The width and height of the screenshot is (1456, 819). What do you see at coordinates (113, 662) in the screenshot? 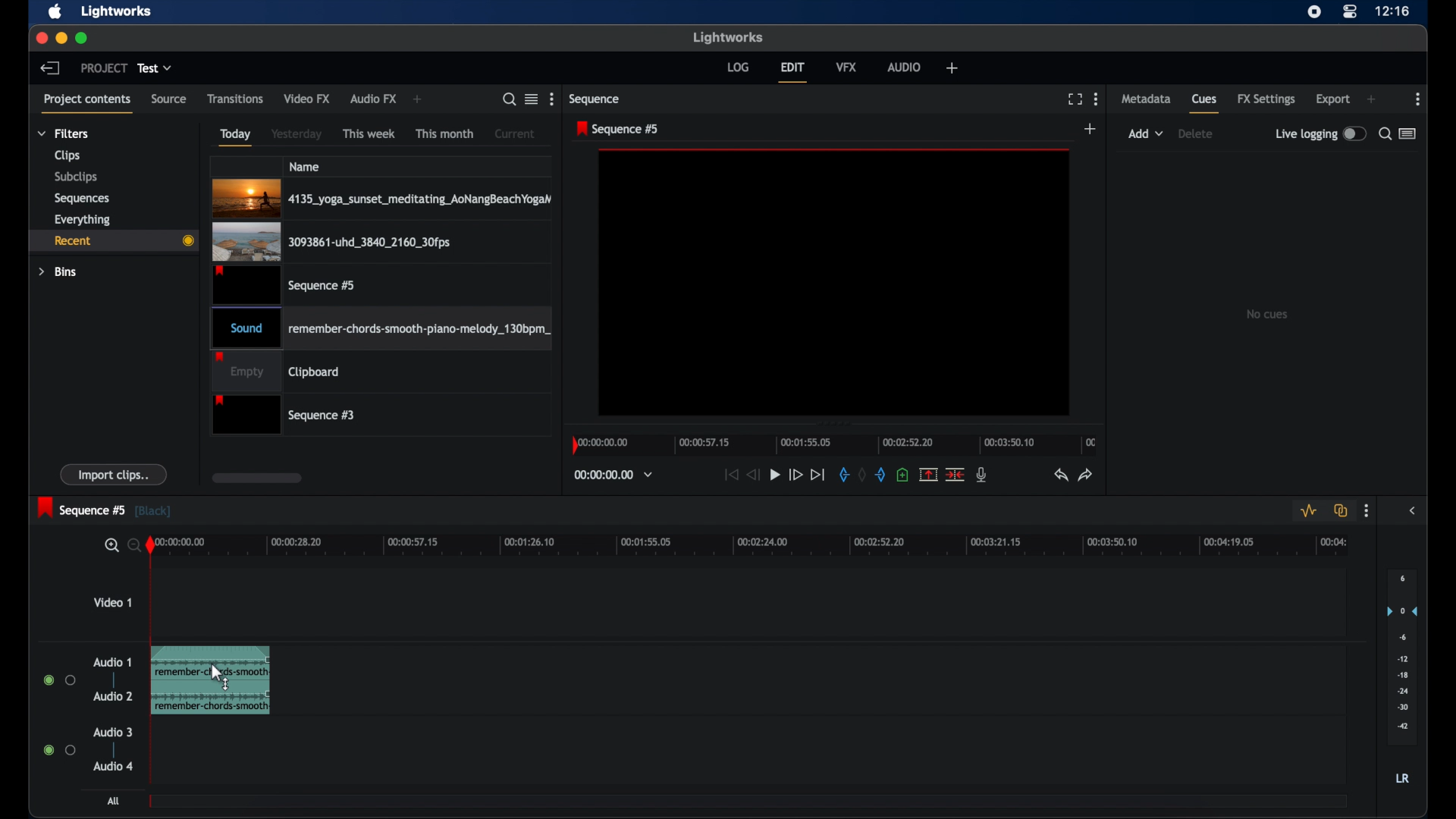
I see `audio 1` at bounding box center [113, 662].